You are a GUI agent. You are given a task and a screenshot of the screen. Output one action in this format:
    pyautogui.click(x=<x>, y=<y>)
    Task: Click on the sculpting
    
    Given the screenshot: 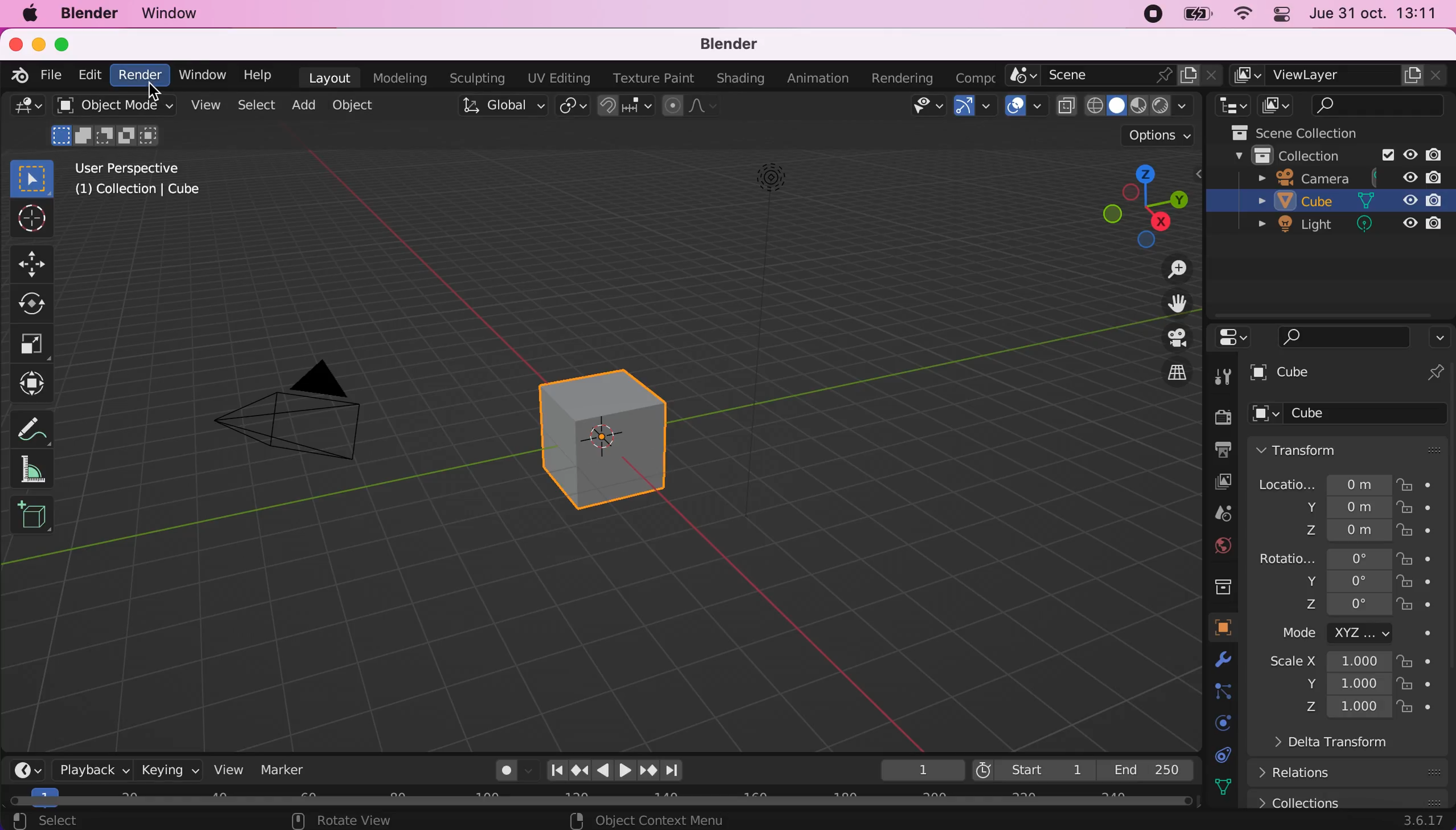 What is the action you would take?
    pyautogui.click(x=478, y=77)
    